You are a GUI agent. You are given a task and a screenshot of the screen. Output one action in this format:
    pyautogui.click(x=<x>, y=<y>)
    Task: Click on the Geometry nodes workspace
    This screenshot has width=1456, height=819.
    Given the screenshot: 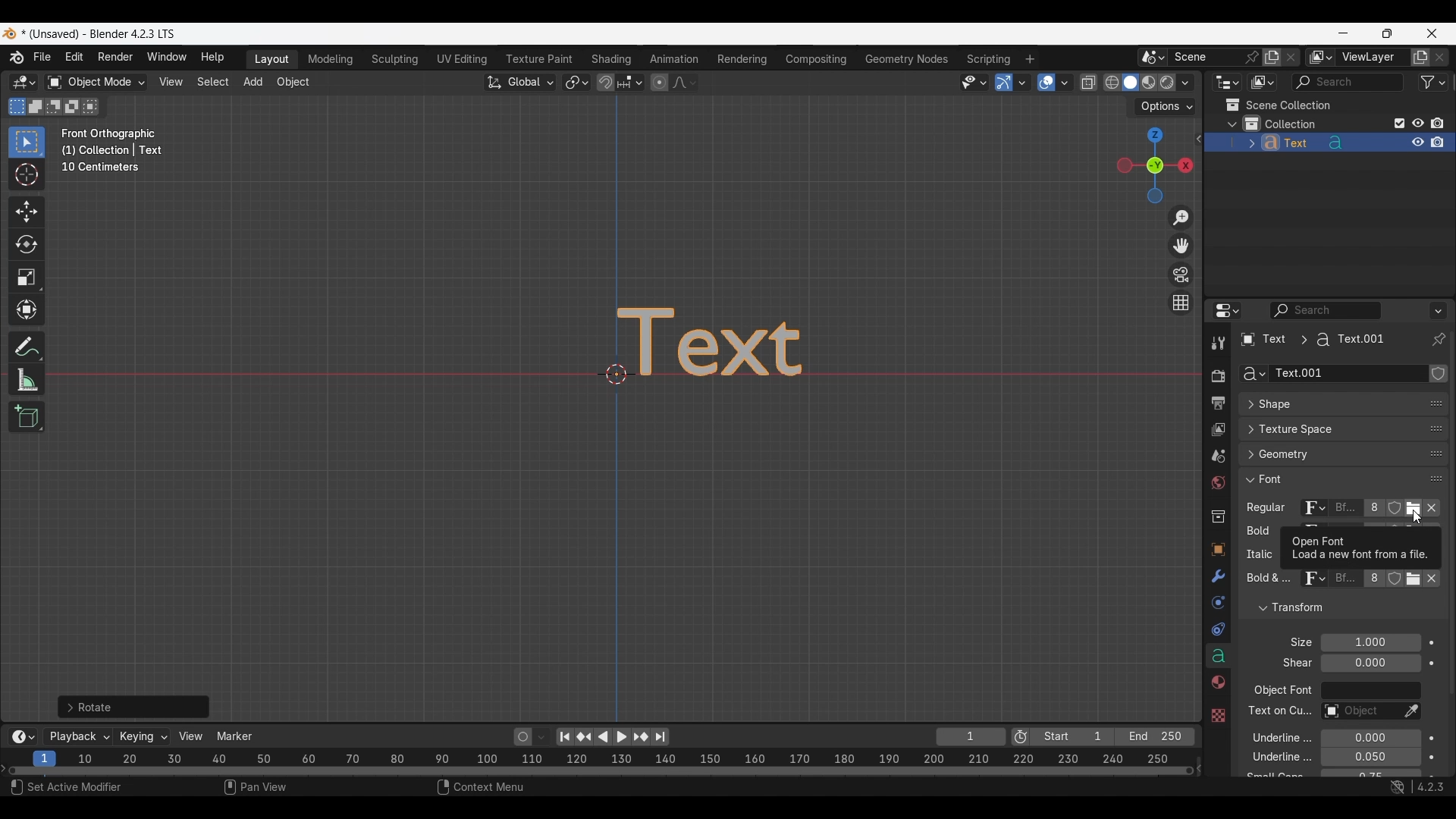 What is the action you would take?
    pyautogui.click(x=906, y=58)
    